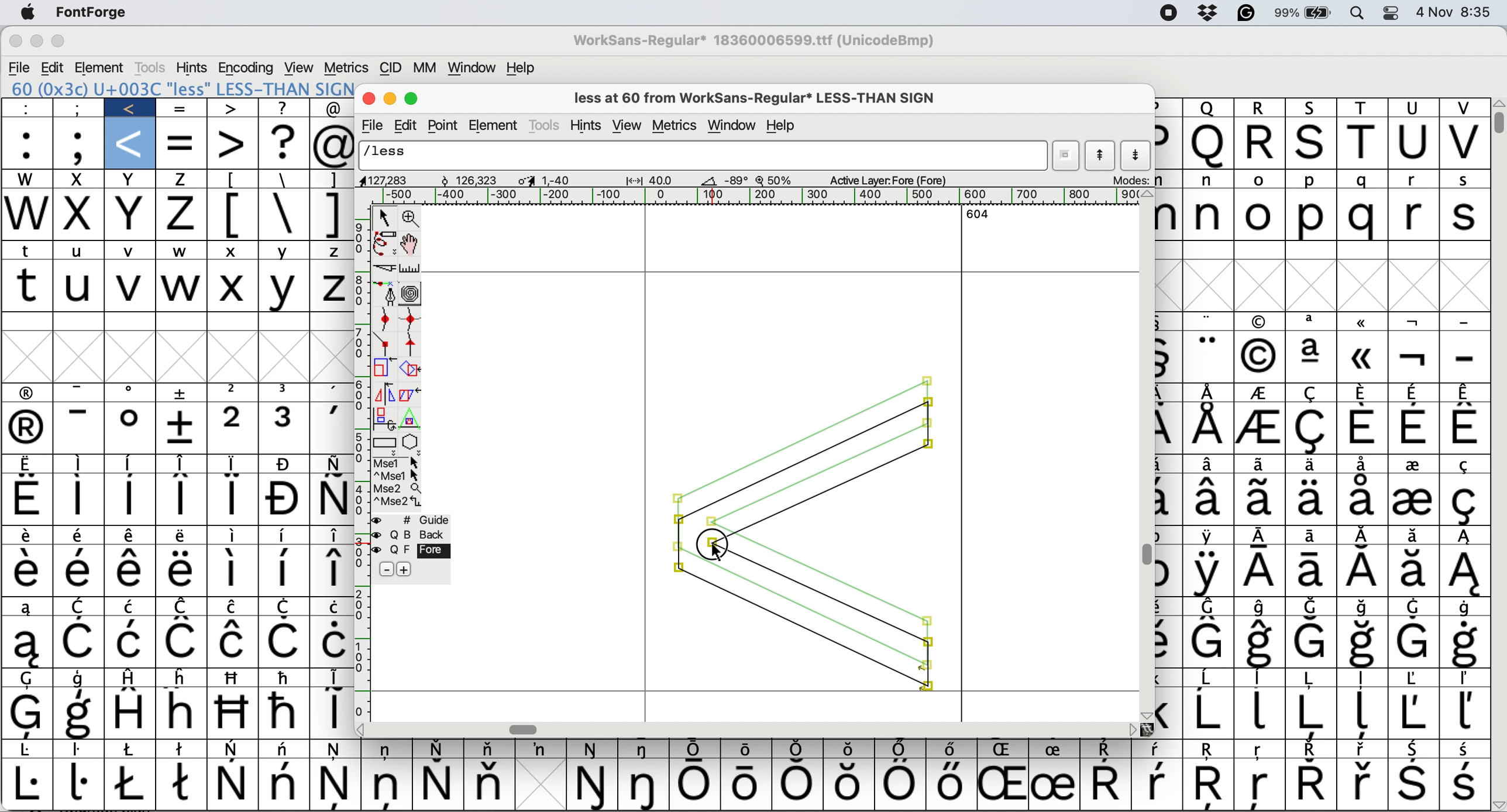 The height and width of the screenshot is (812, 1507). Describe the element at coordinates (1210, 215) in the screenshot. I see `n` at that location.